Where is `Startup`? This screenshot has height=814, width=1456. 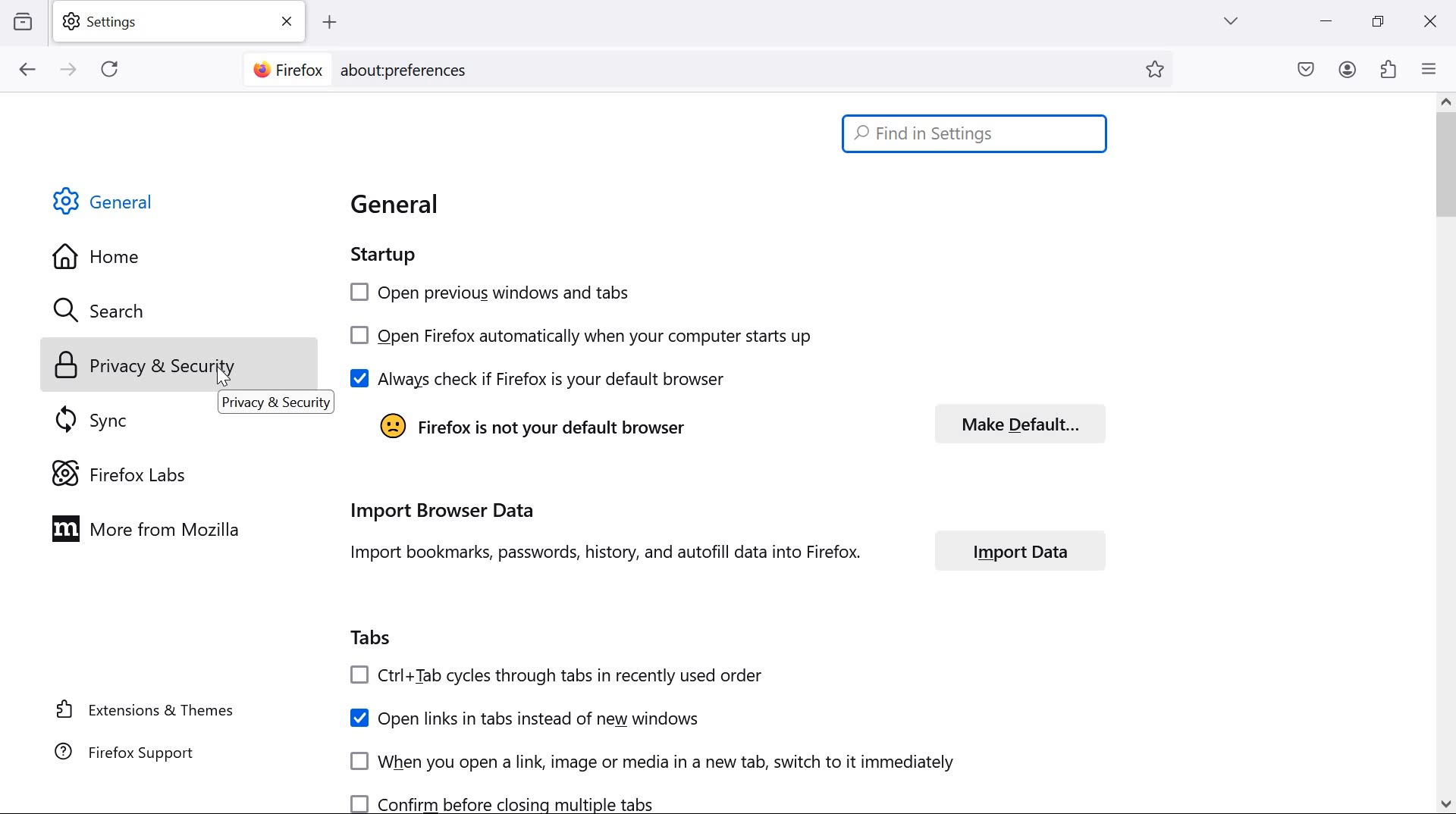
Startup is located at coordinates (386, 253).